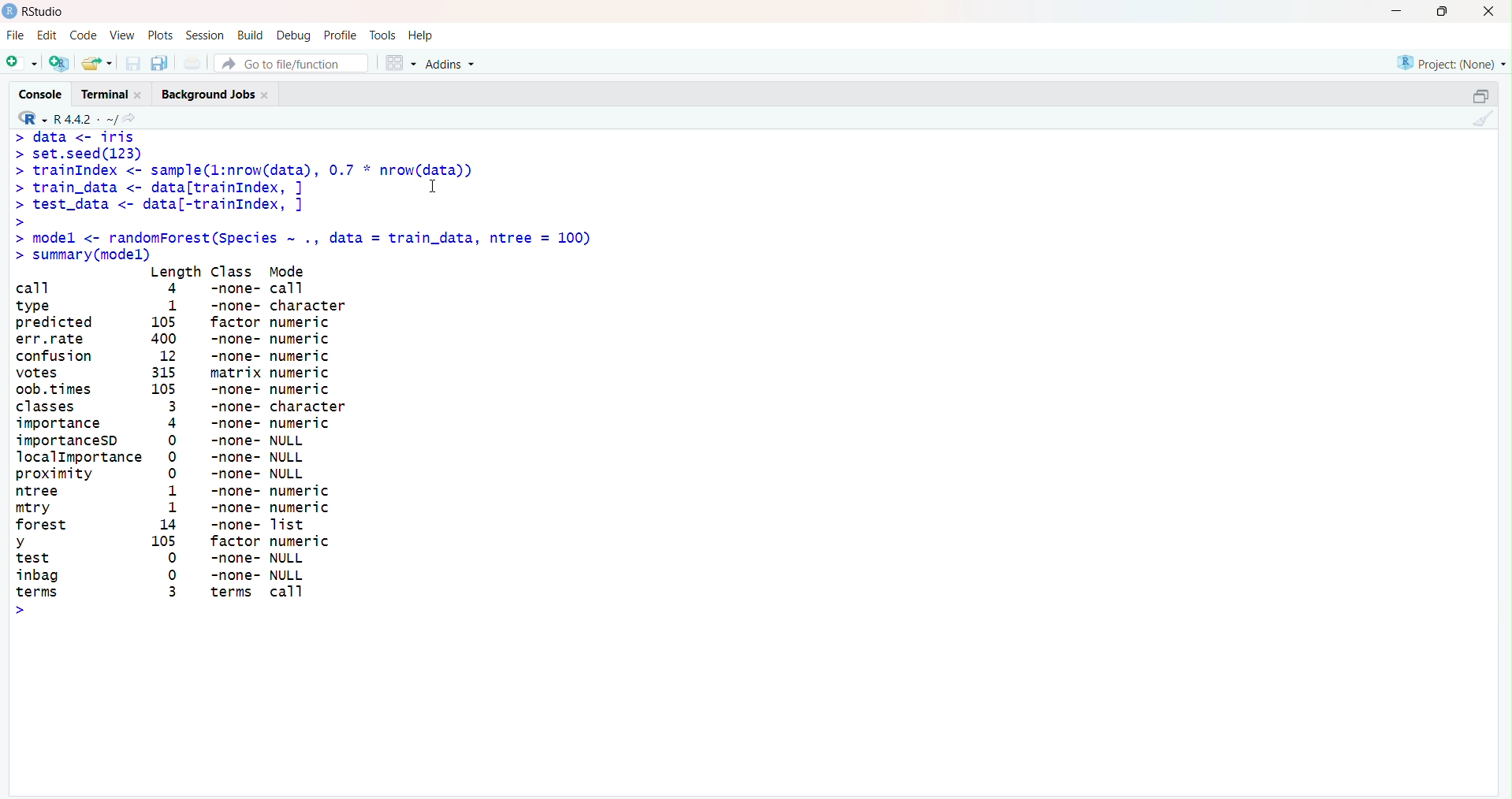 Image resolution: width=1512 pixels, height=799 pixels. What do you see at coordinates (19, 255) in the screenshot?
I see `Prompt cursor` at bounding box center [19, 255].